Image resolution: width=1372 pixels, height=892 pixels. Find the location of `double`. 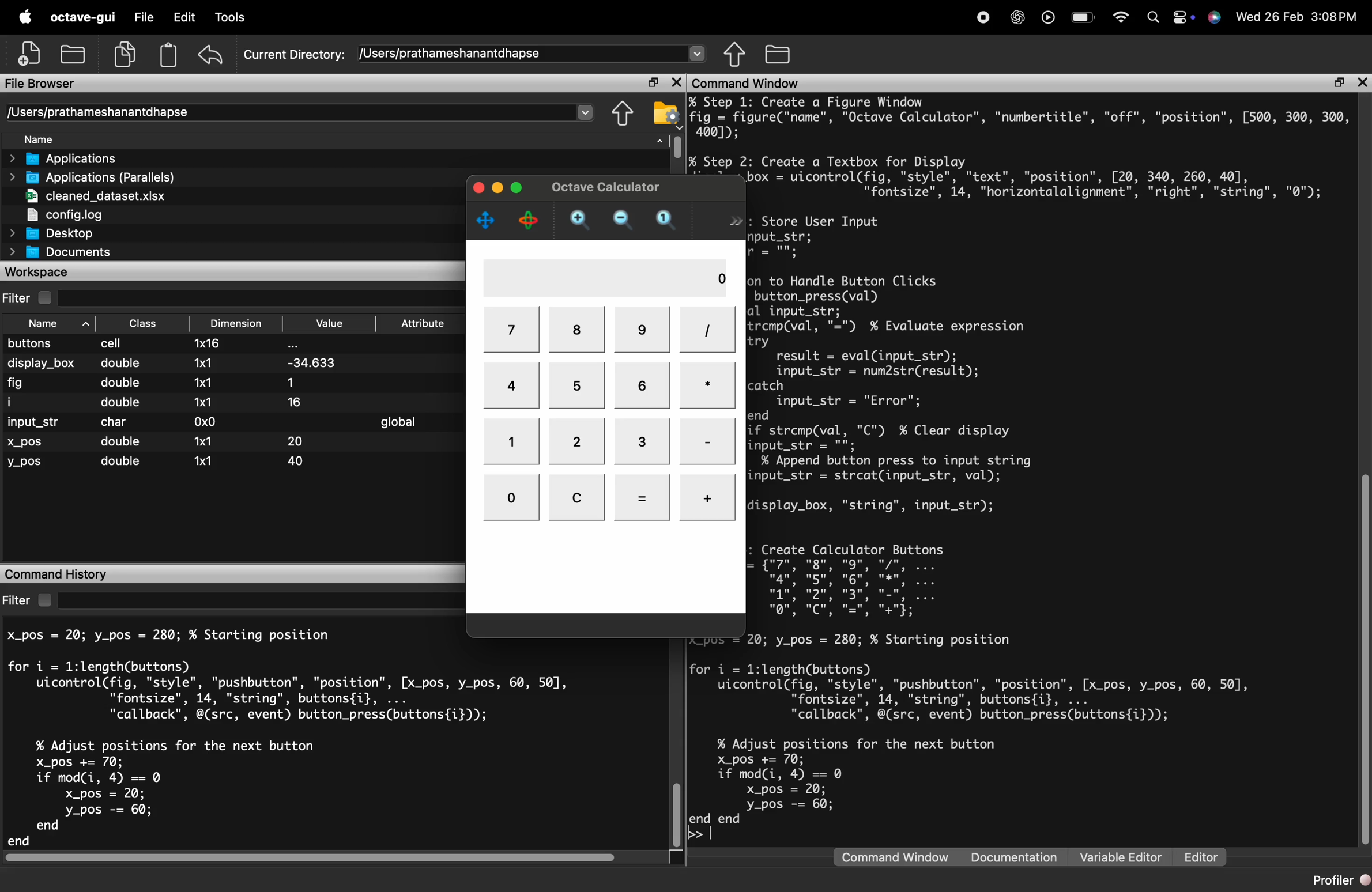

double is located at coordinates (123, 462).